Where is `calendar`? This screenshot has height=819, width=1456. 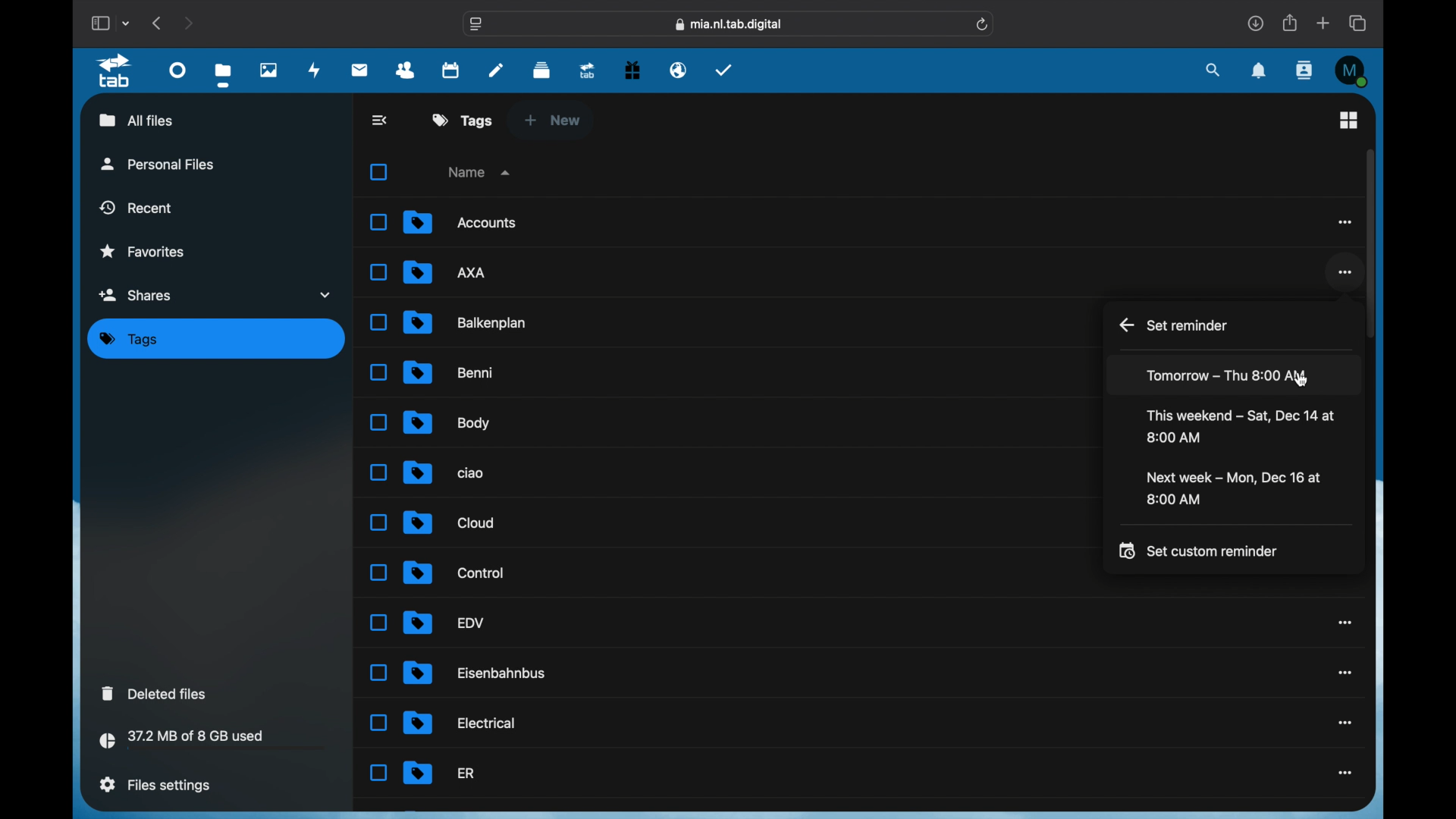 calendar is located at coordinates (452, 69).